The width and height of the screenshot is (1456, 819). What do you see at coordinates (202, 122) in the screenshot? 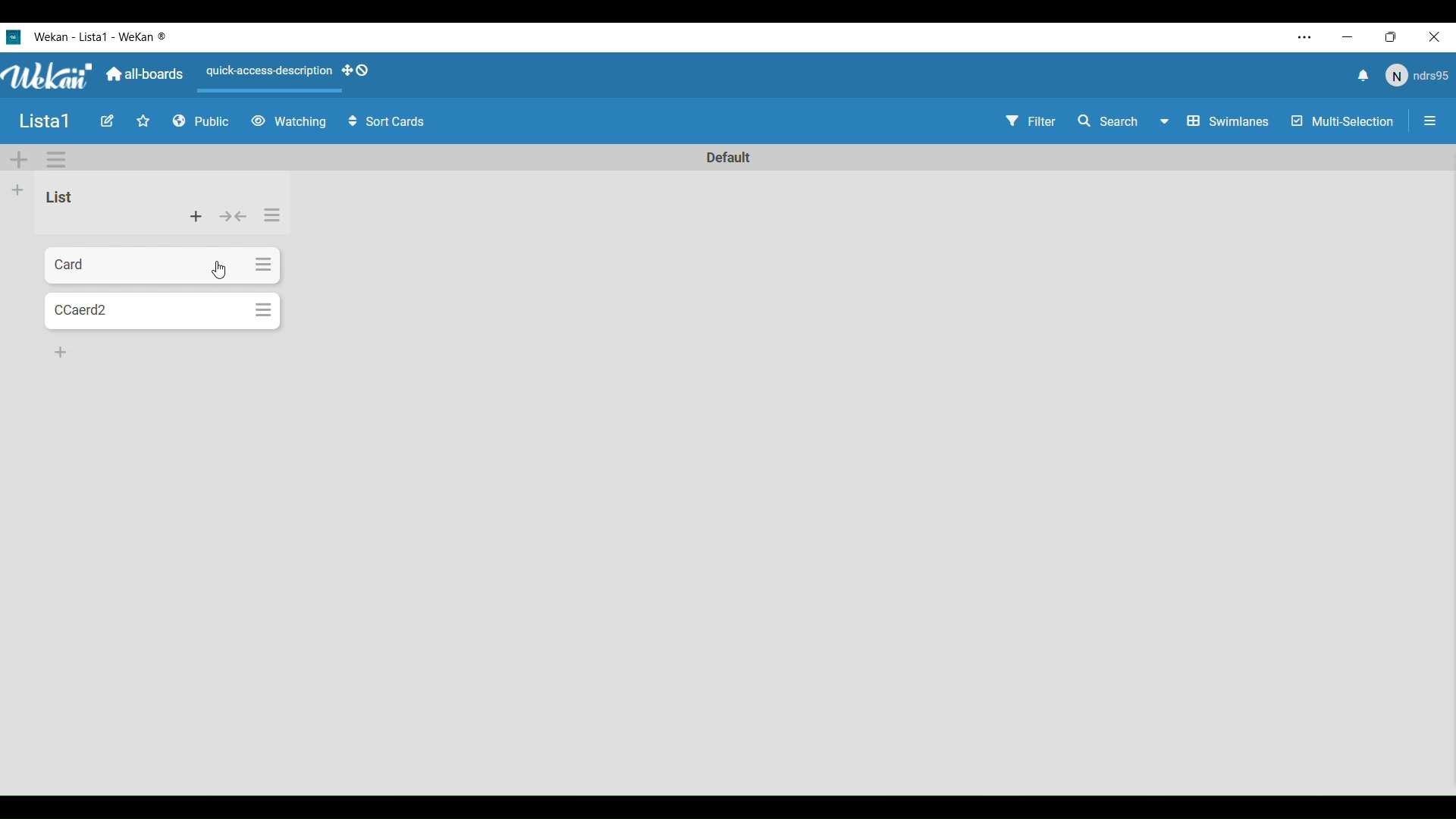
I see `Public` at bounding box center [202, 122].